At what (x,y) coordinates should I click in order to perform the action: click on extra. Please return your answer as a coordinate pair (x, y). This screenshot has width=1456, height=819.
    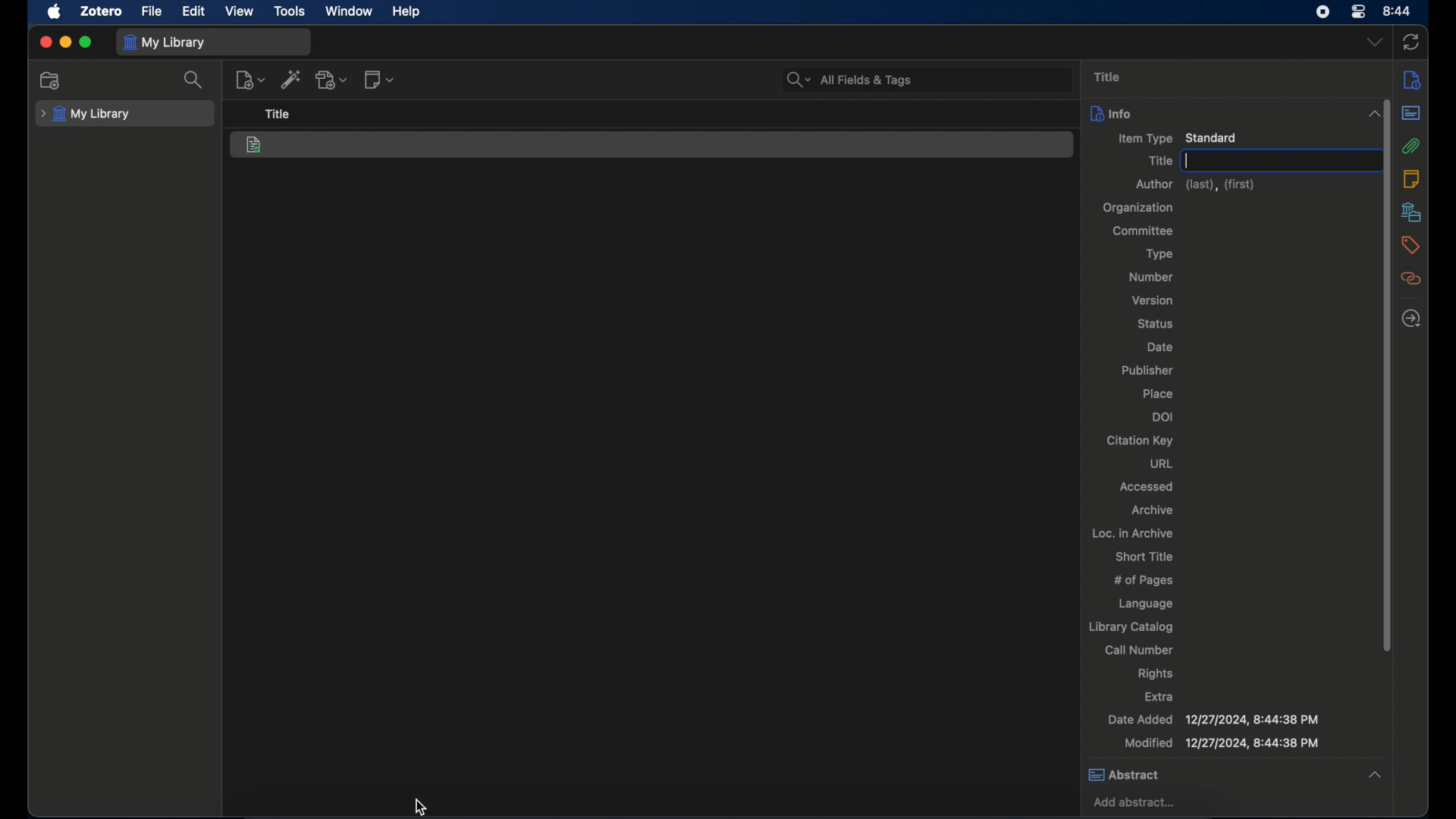
    Looking at the image, I should click on (1159, 696).